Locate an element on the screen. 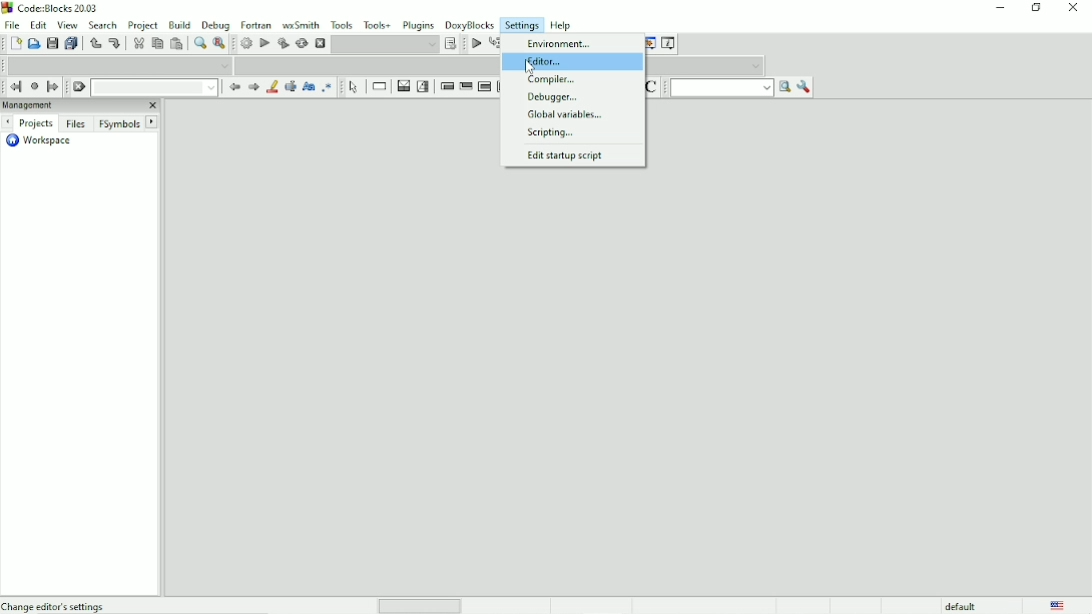 This screenshot has height=614, width=1092. View is located at coordinates (69, 24).